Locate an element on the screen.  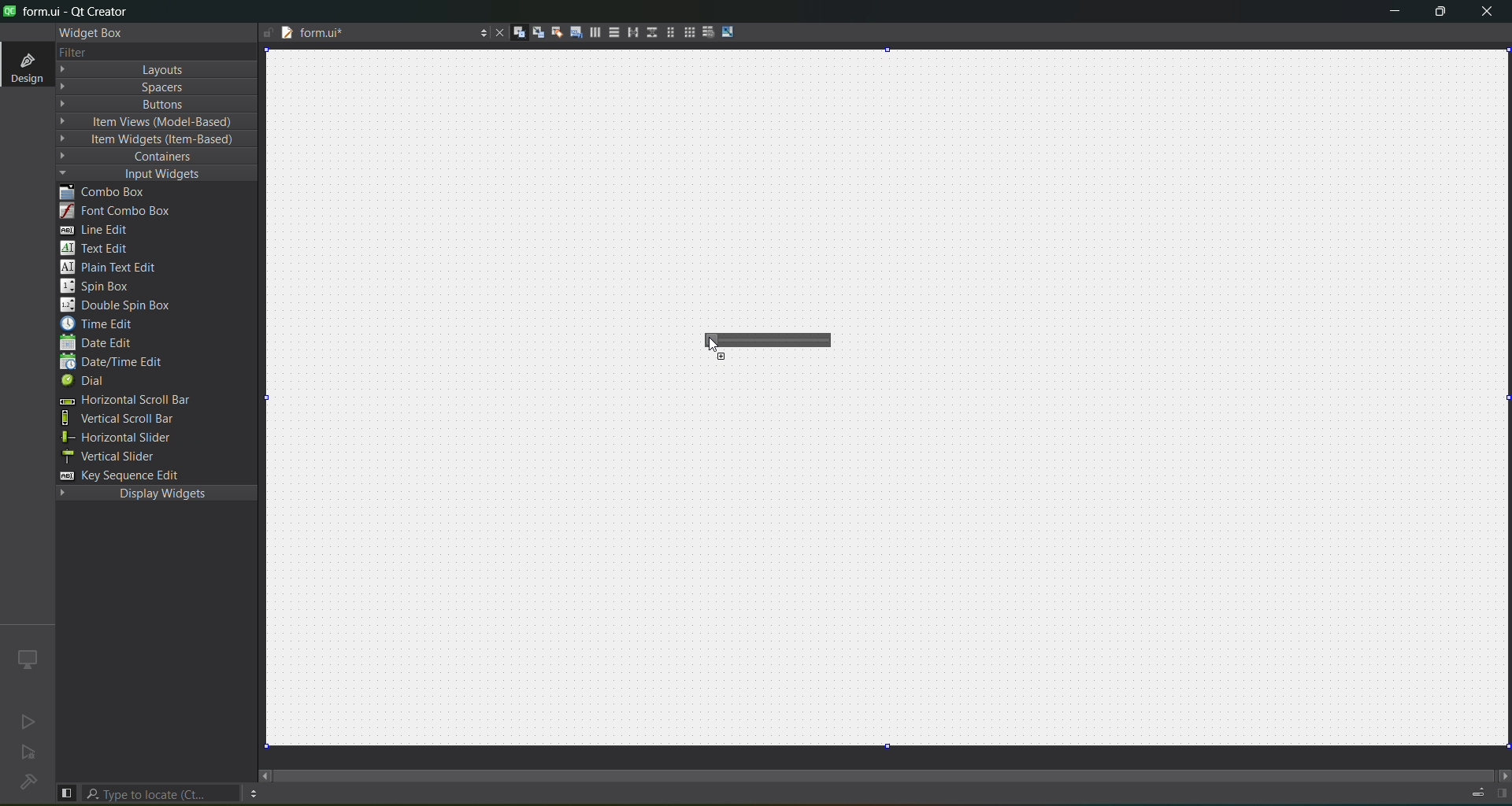
text edit is located at coordinates (99, 250).